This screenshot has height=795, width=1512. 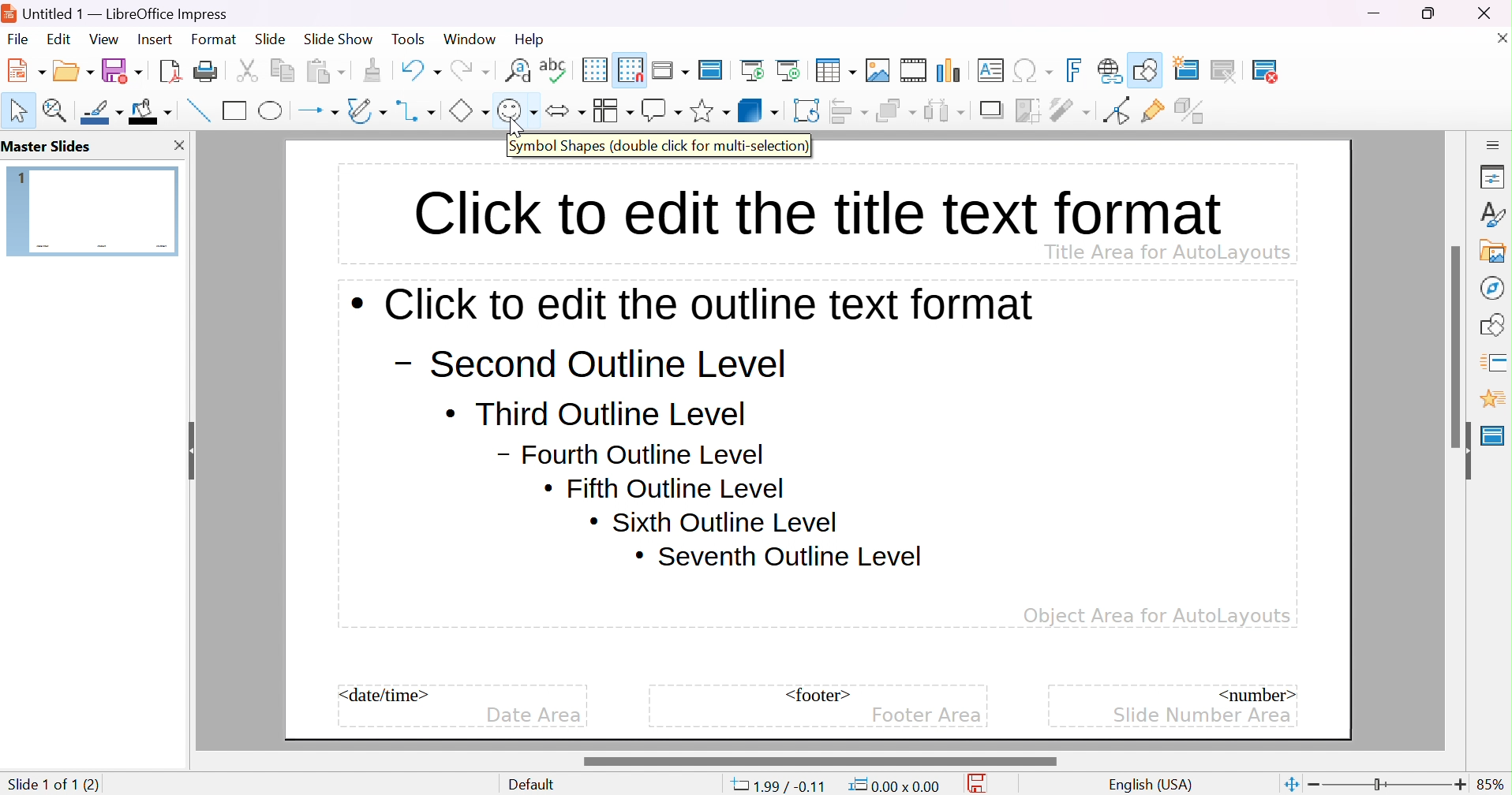 I want to click on connectors, so click(x=417, y=110).